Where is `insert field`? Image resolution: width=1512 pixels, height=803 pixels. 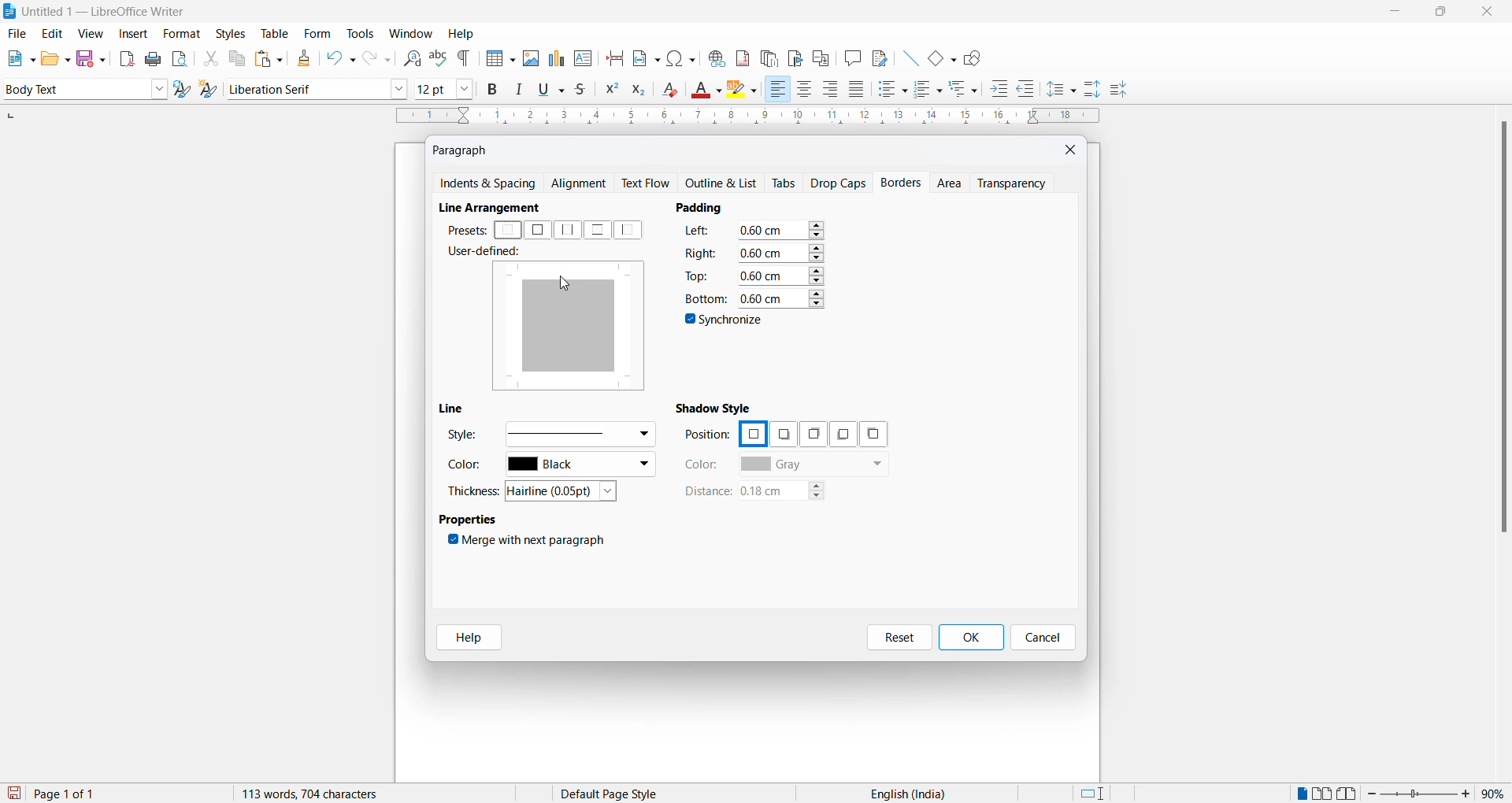 insert field is located at coordinates (645, 56).